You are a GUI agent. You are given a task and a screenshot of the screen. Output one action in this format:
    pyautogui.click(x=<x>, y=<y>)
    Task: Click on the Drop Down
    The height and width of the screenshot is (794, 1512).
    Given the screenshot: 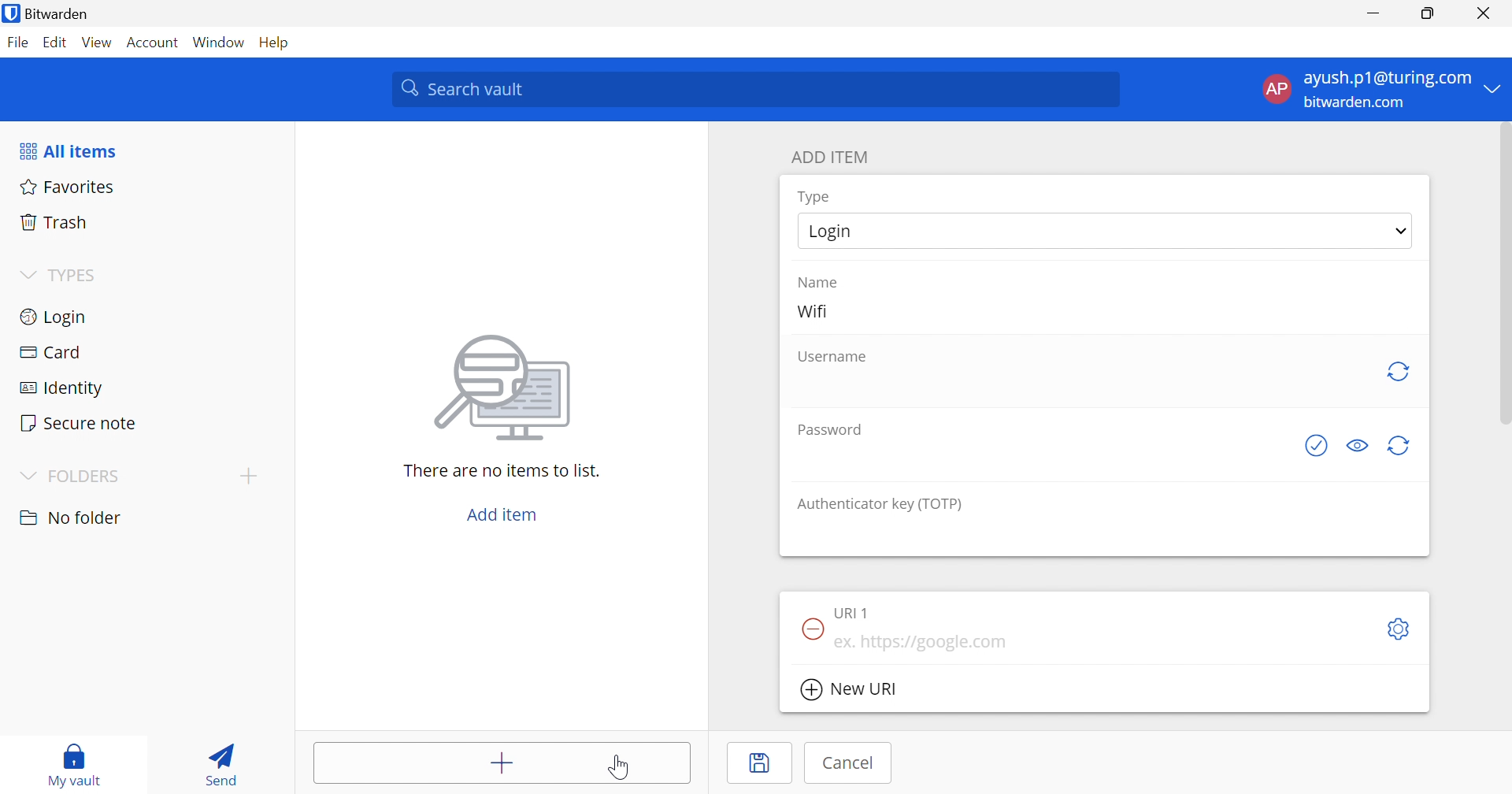 What is the action you would take?
    pyautogui.click(x=1402, y=230)
    